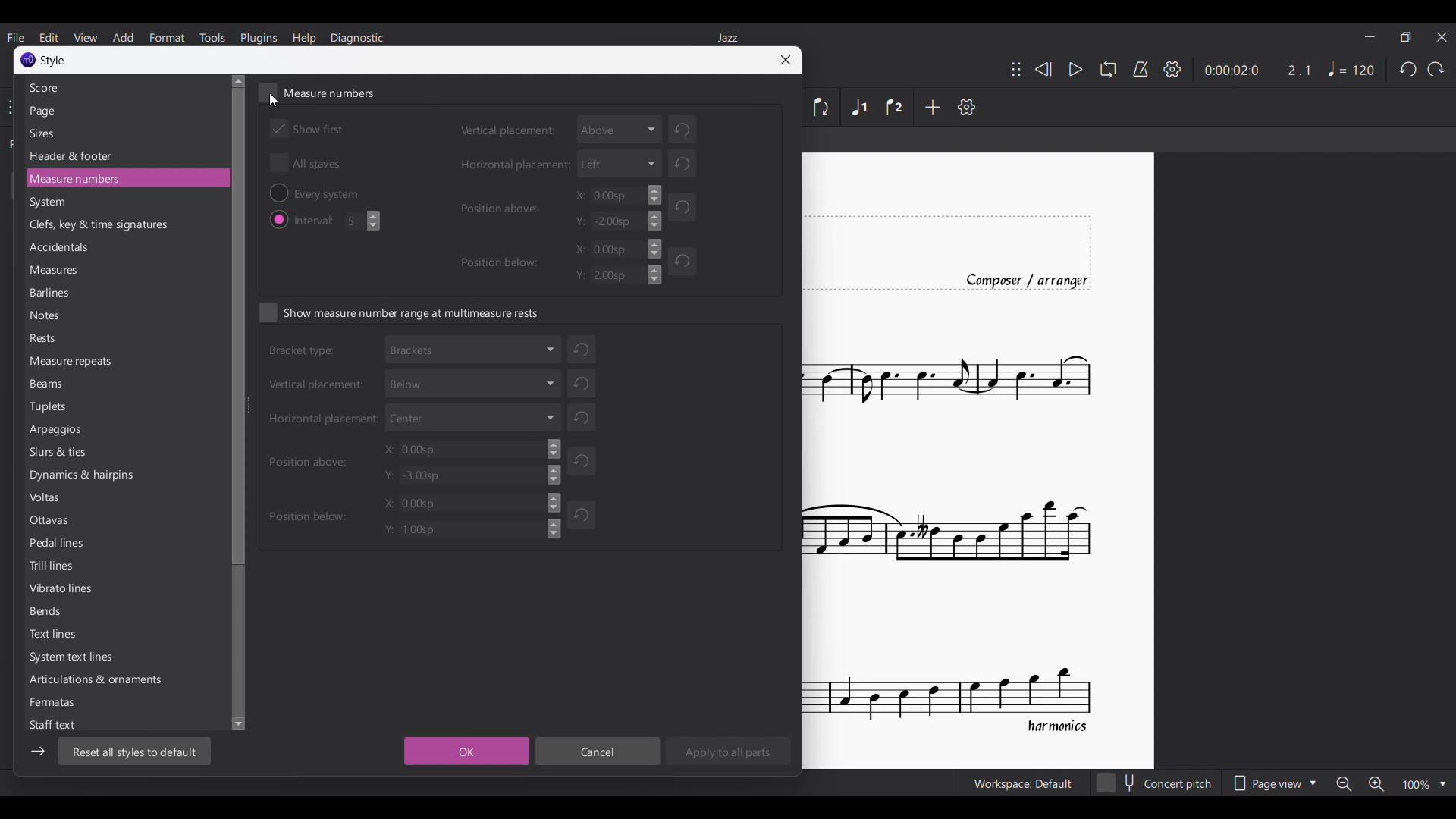 This screenshot has width=1456, height=819. What do you see at coordinates (320, 385) in the screenshot?
I see `Vertical` at bounding box center [320, 385].